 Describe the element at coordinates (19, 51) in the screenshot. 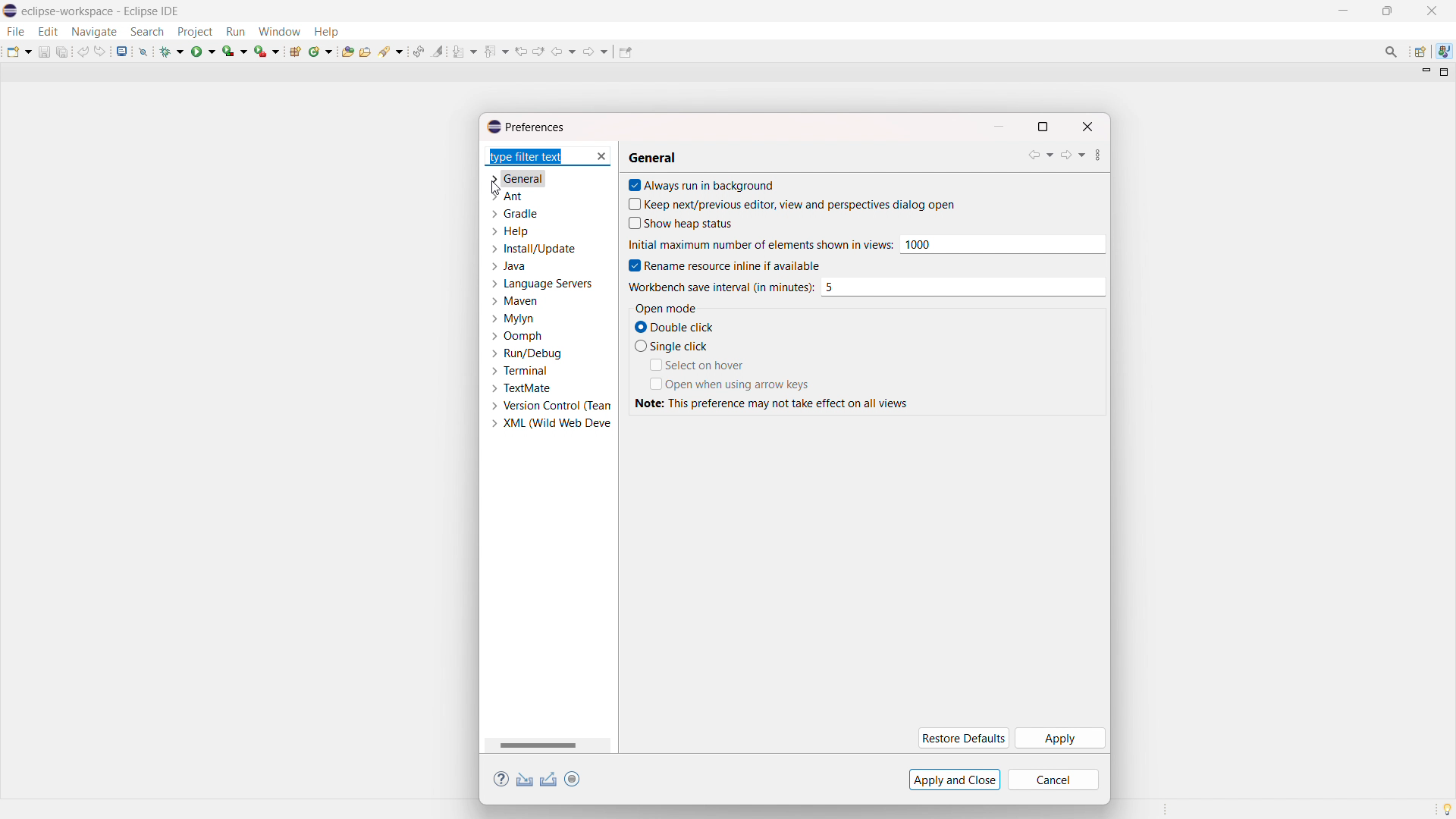

I see `new` at that location.